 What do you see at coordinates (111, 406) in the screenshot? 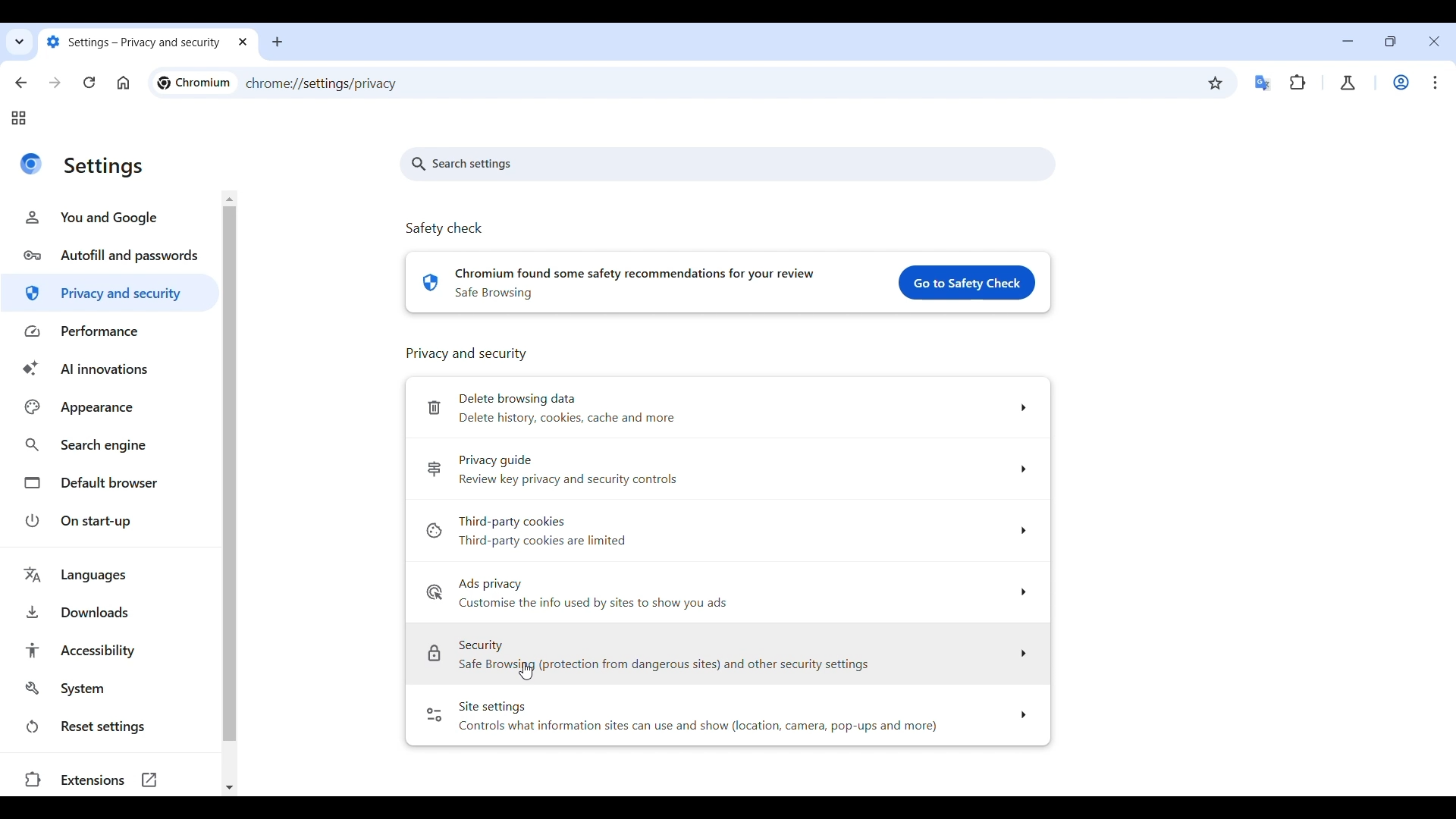
I see `Appearance` at bounding box center [111, 406].